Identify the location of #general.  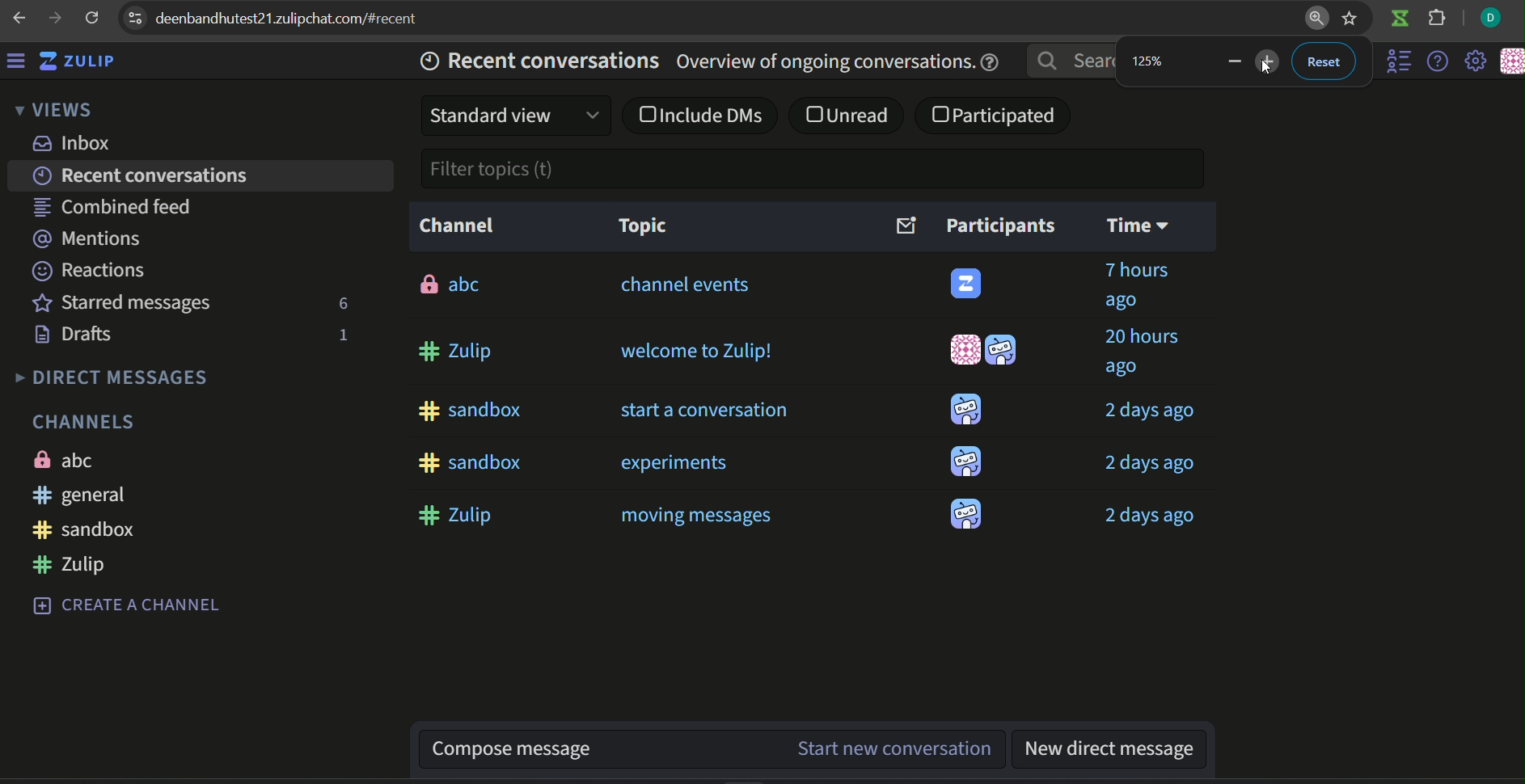
(82, 494).